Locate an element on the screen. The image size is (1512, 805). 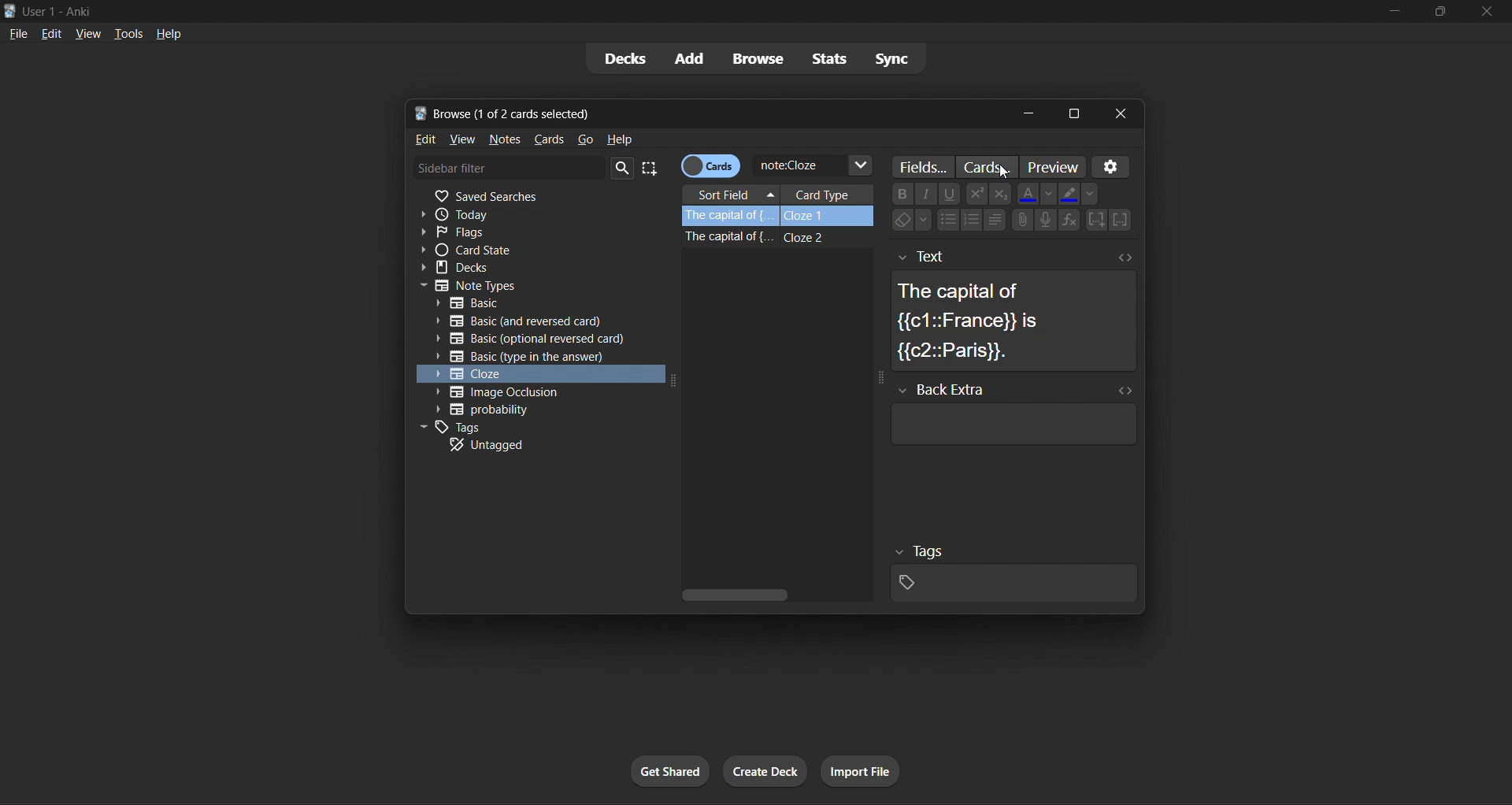
maximize is located at coordinates (1440, 13).